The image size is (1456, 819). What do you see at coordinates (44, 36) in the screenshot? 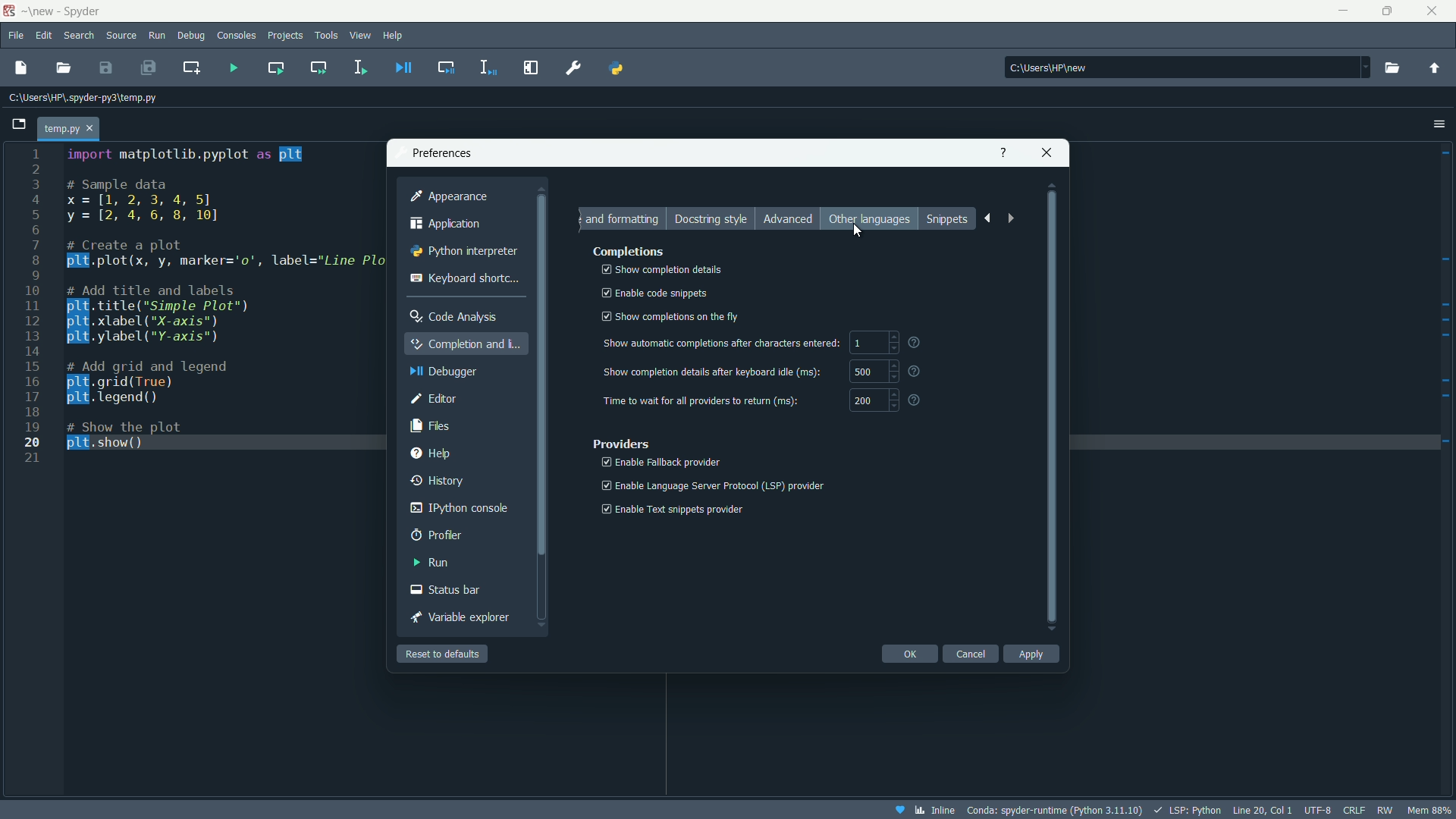
I see `edit` at bounding box center [44, 36].